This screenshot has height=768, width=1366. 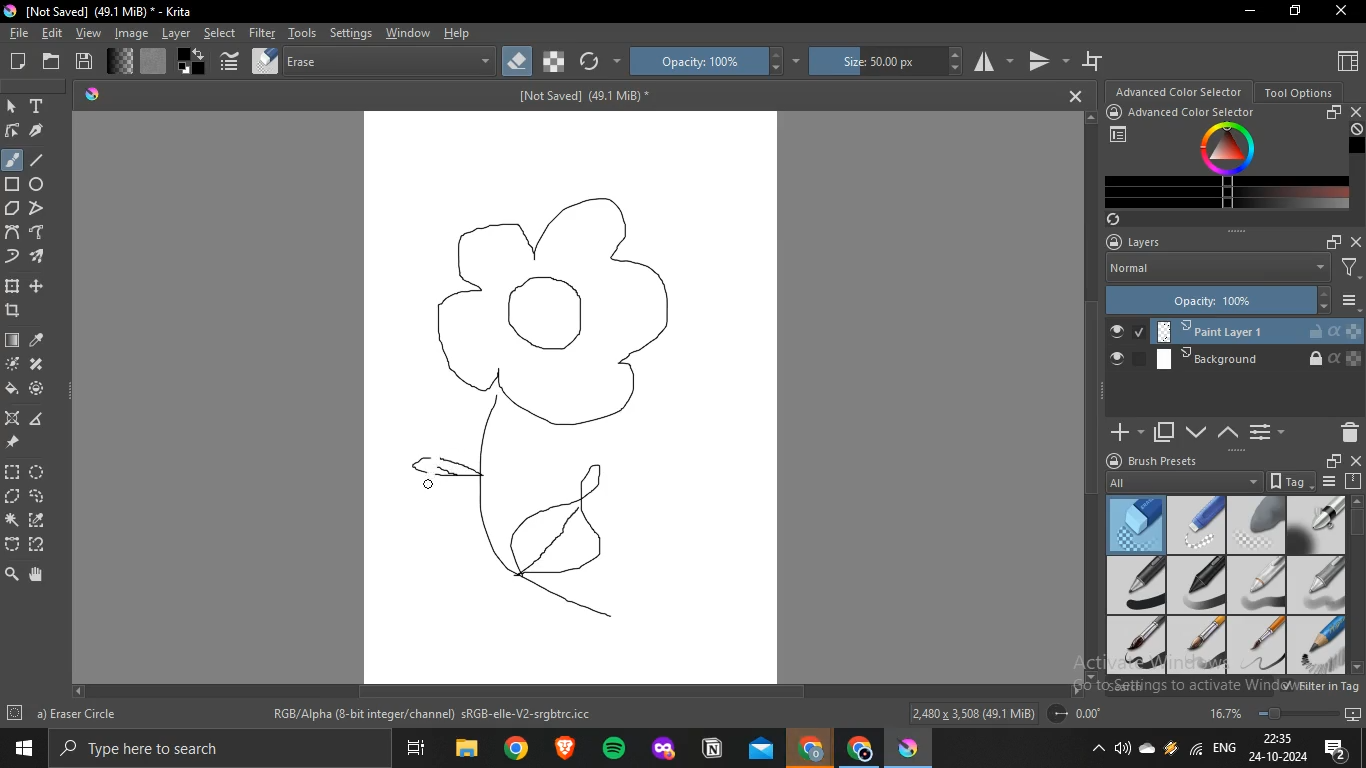 What do you see at coordinates (39, 518) in the screenshot?
I see `similar color selection tool` at bounding box center [39, 518].